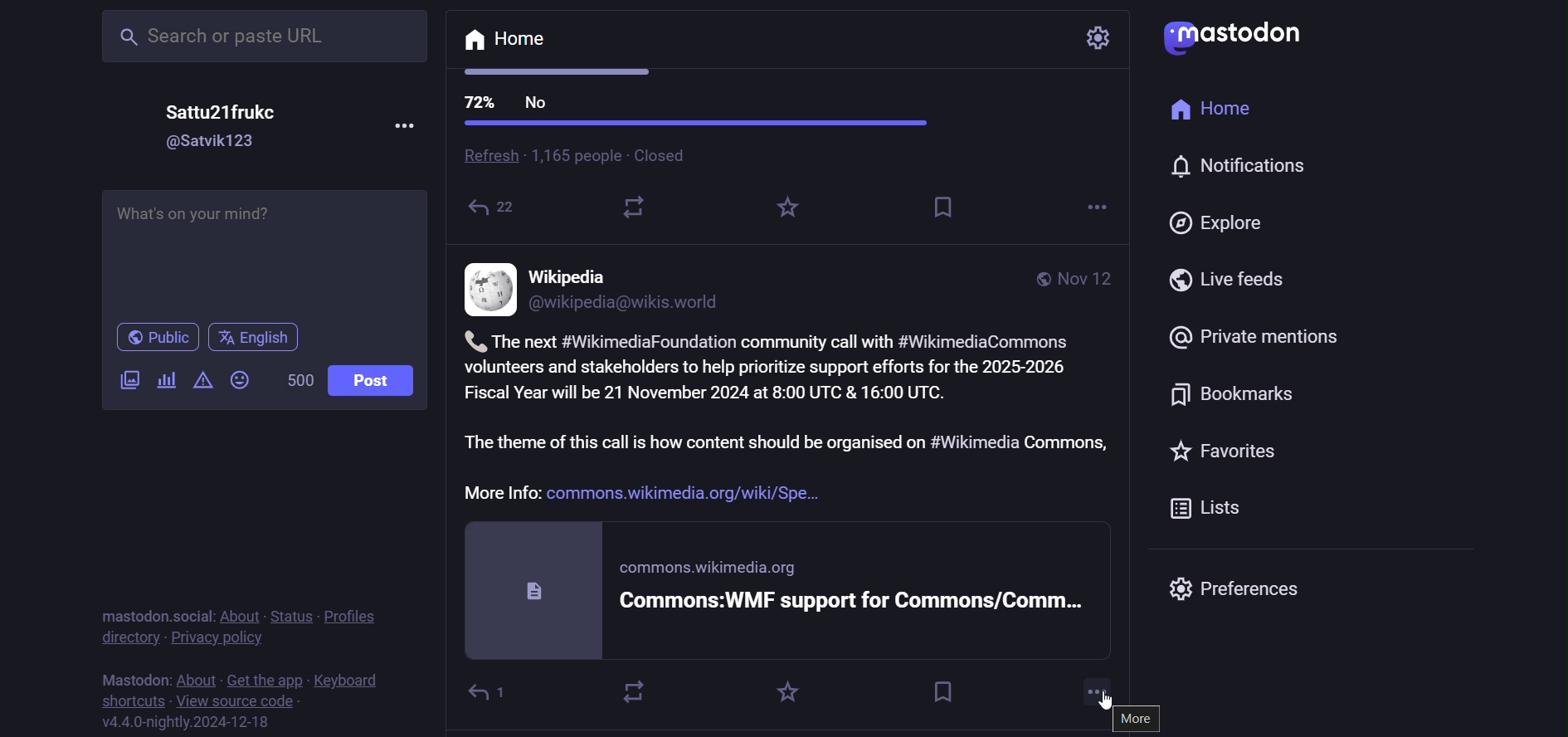  I want to click on public, so click(1039, 280).